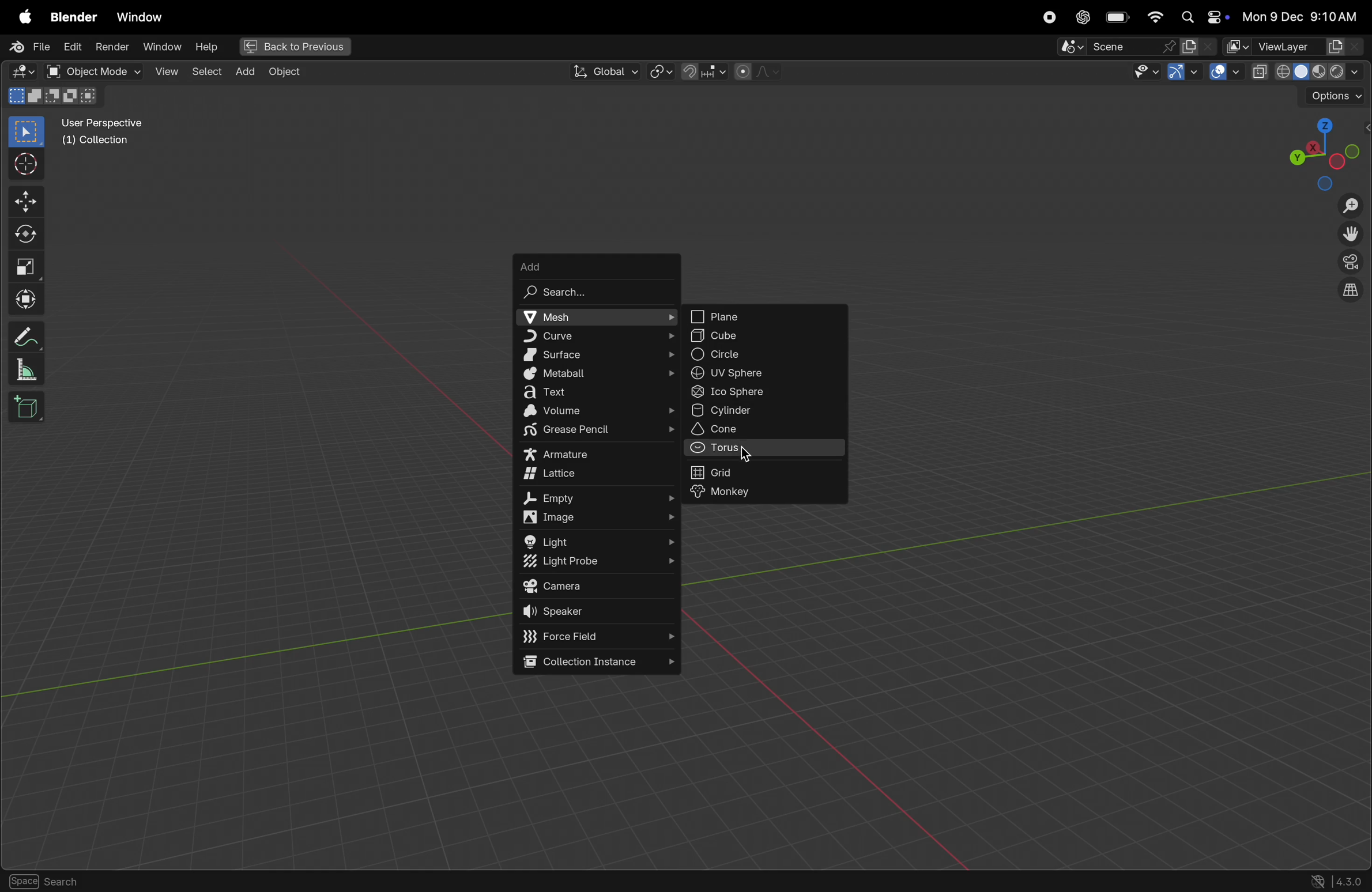 The height and width of the screenshot is (892, 1372). What do you see at coordinates (1118, 18) in the screenshot?
I see `battery` at bounding box center [1118, 18].